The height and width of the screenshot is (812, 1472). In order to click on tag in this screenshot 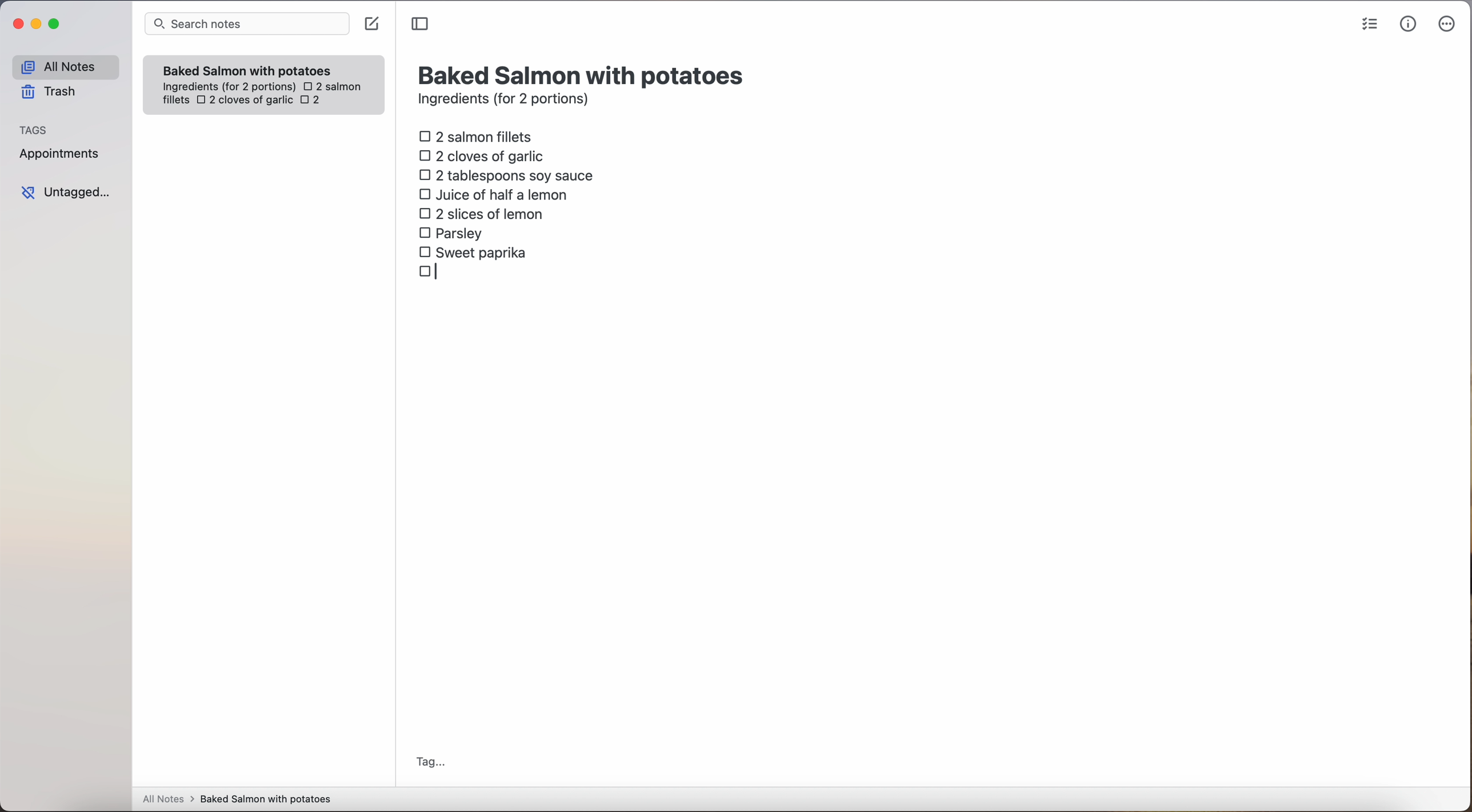, I will do `click(430, 763)`.